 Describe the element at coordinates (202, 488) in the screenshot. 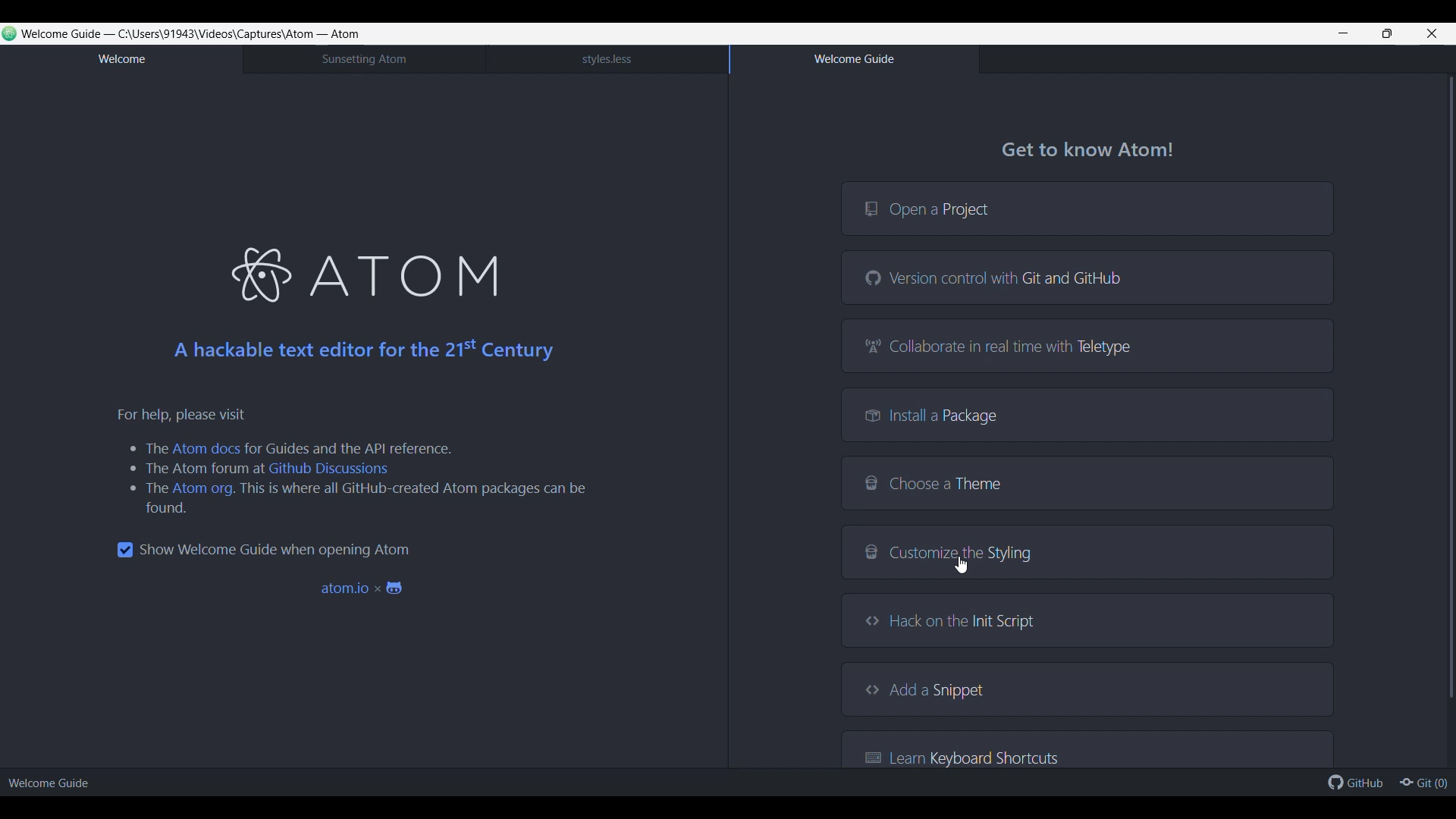

I see `Atom org` at that location.